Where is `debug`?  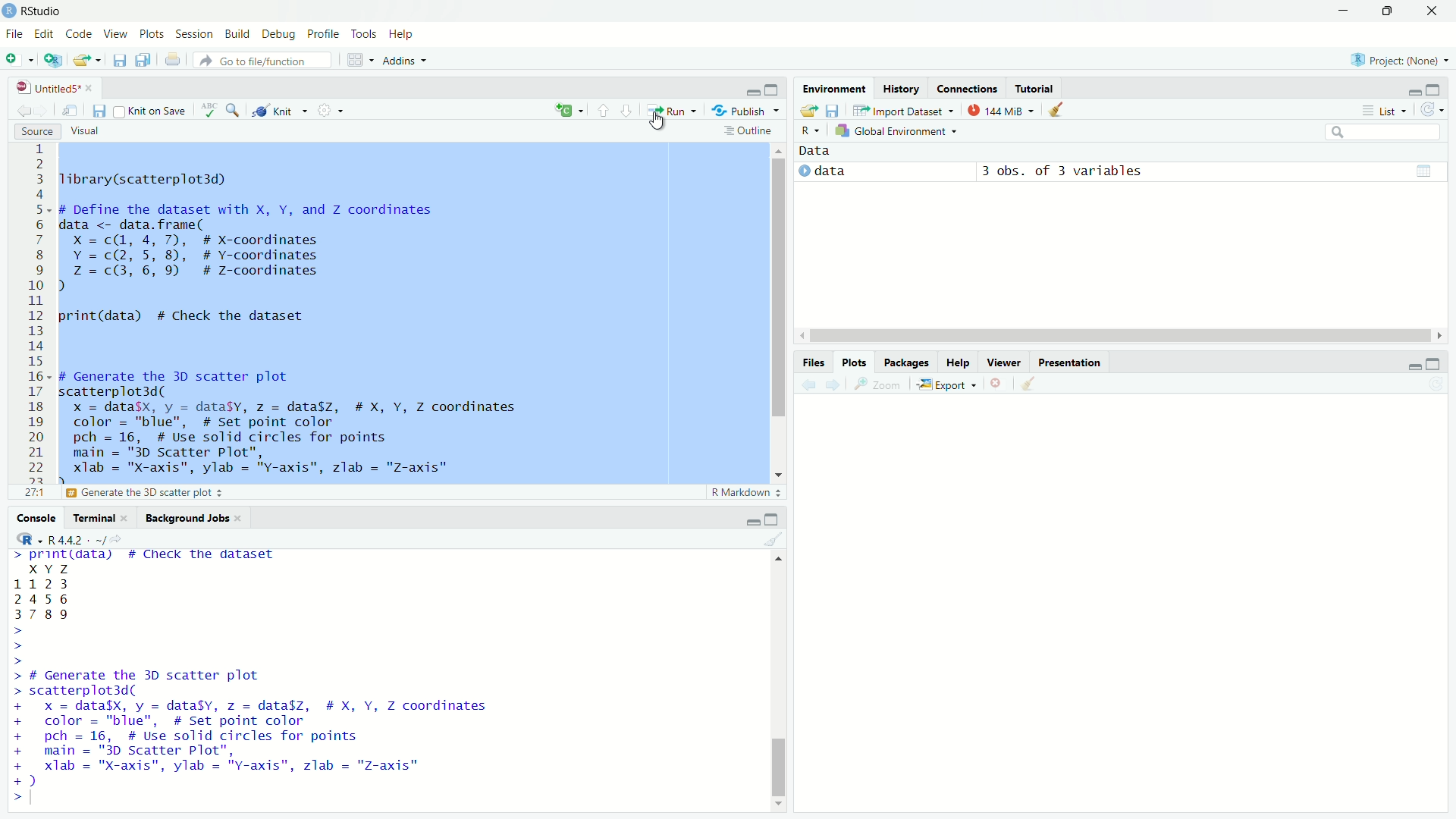
debug is located at coordinates (280, 35).